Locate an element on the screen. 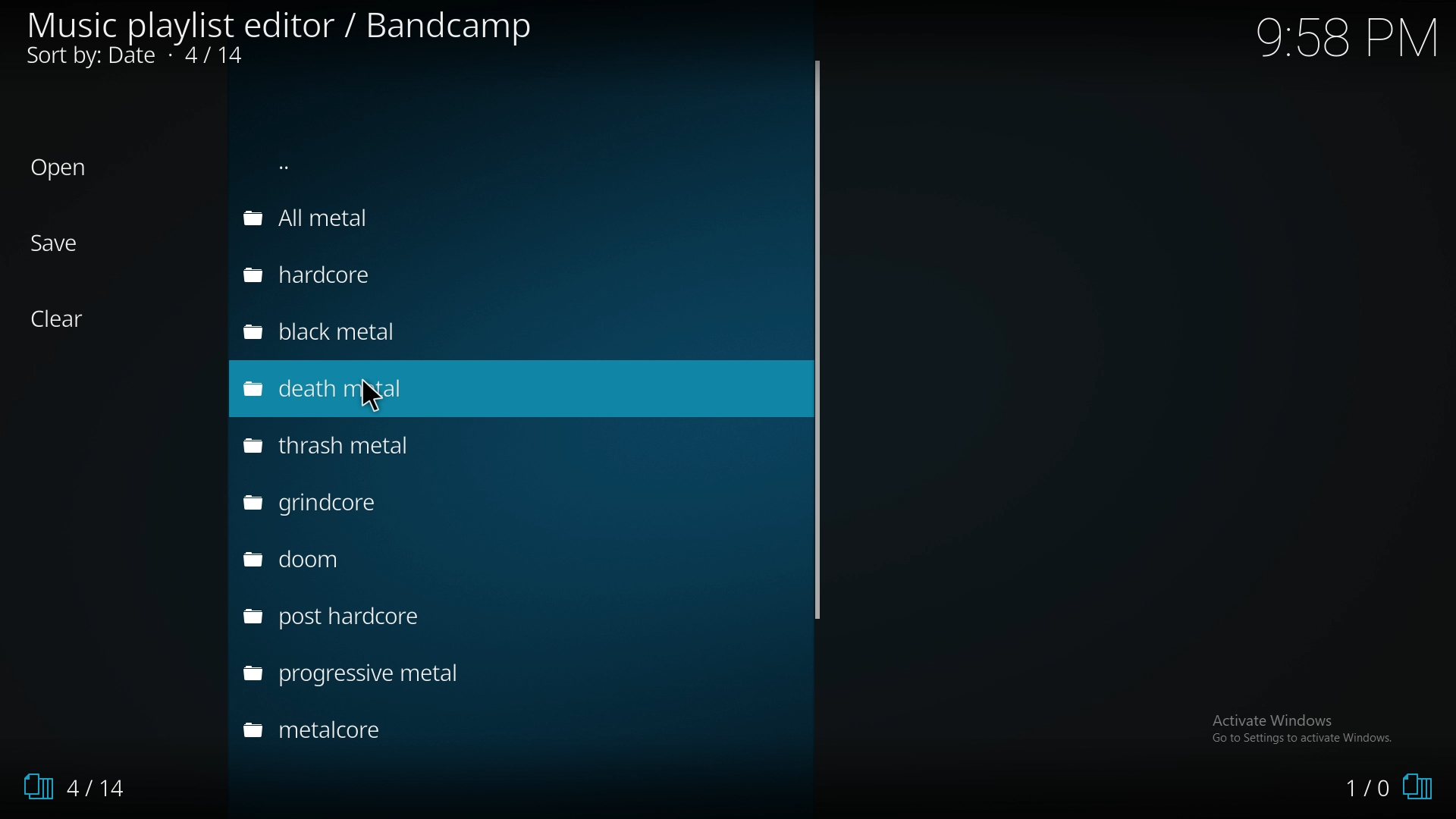 The height and width of the screenshot is (819, 1456). scroll bar is located at coordinates (817, 340).